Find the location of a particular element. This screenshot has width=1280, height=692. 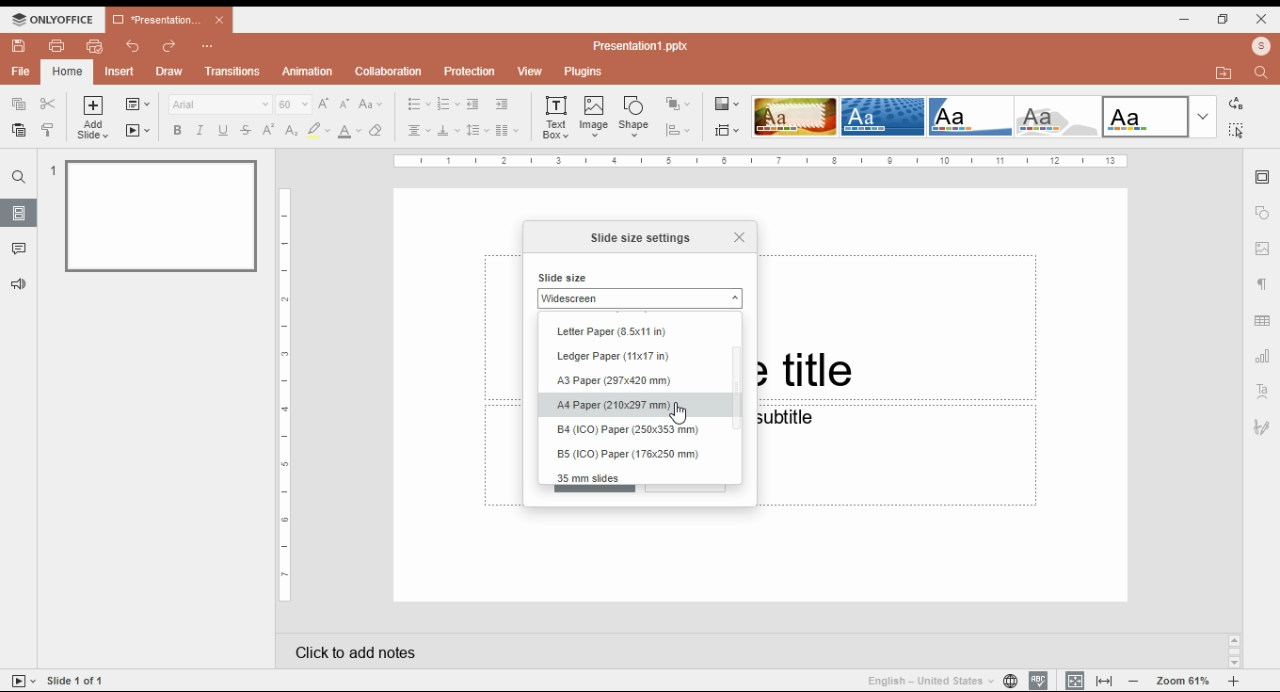

decrement font size is located at coordinates (345, 103).